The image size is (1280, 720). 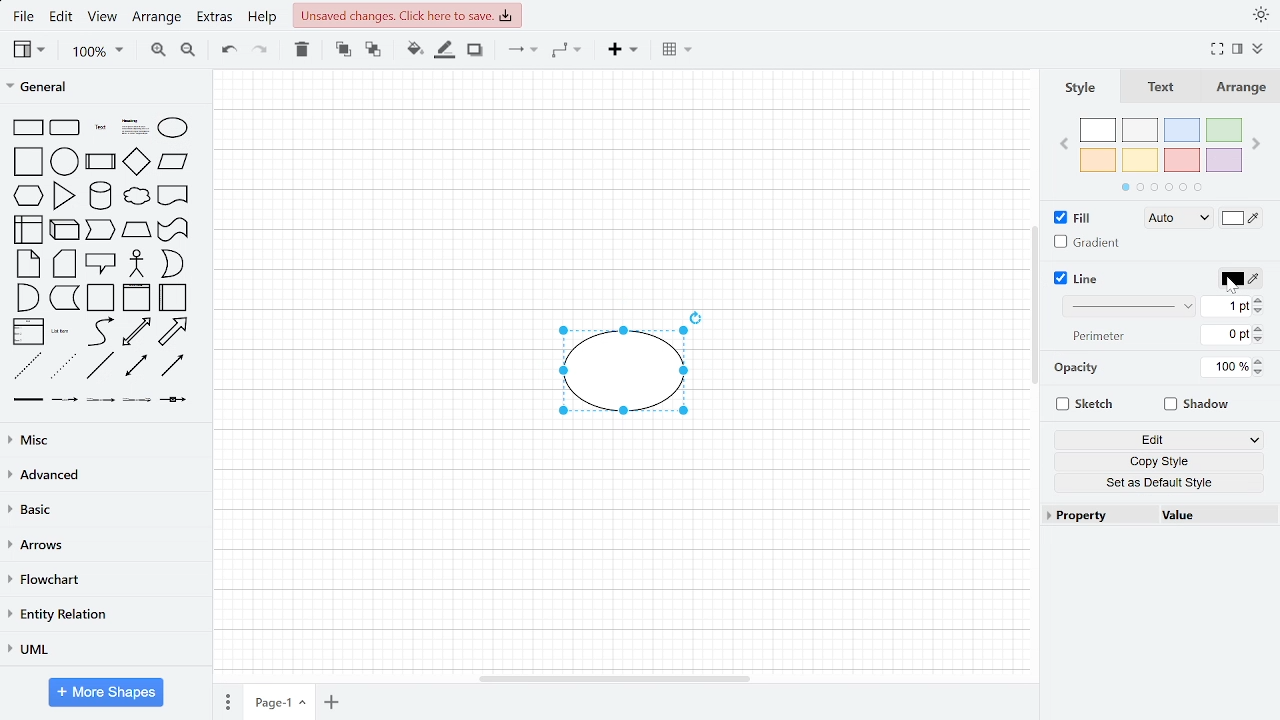 I want to click on violet, so click(x=1222, y=160).